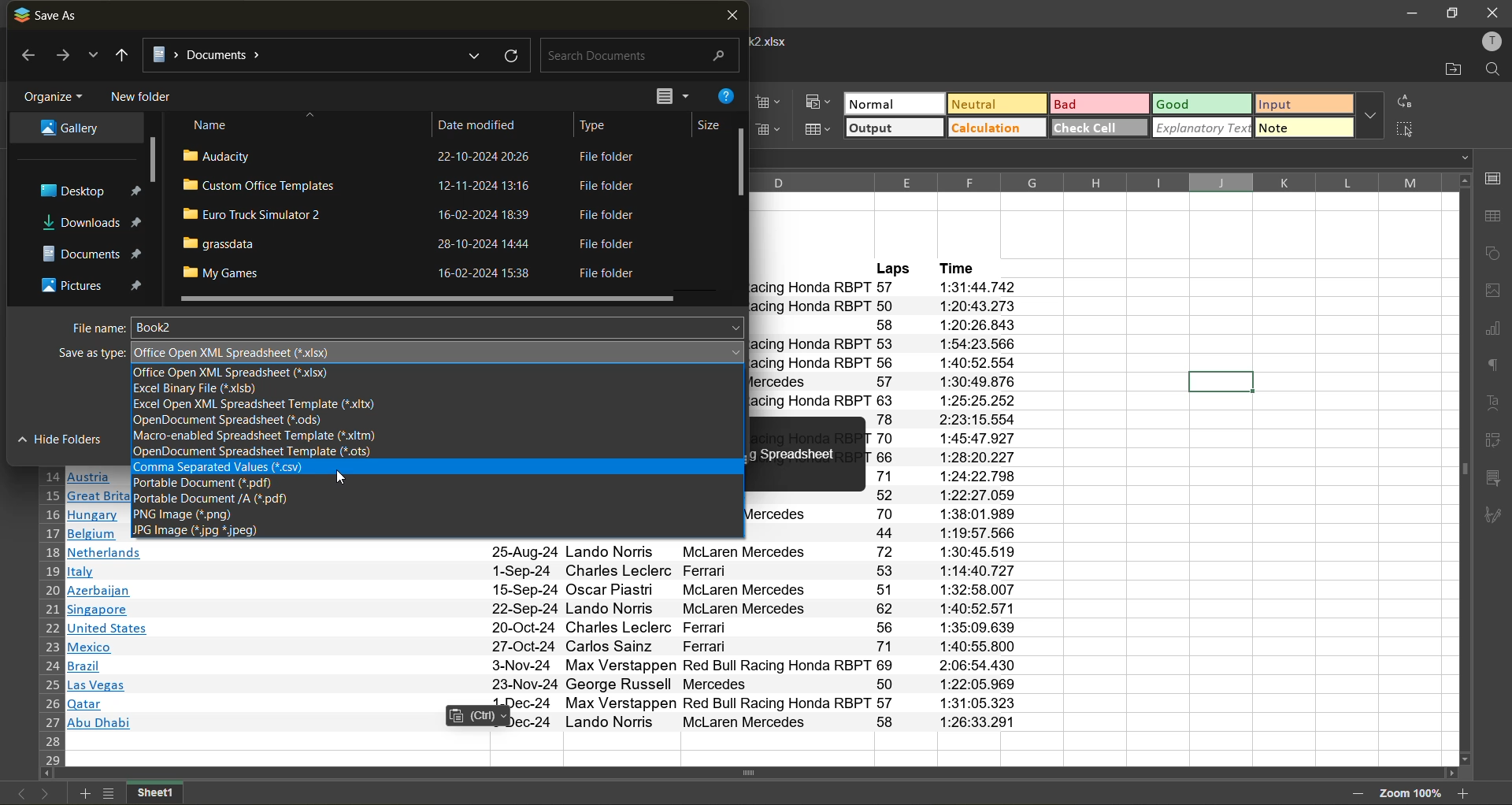 This screenshot has height=805, width=1512. Describe the element at coordinates (413, 187) in the screenshot. I see `file` at that location.